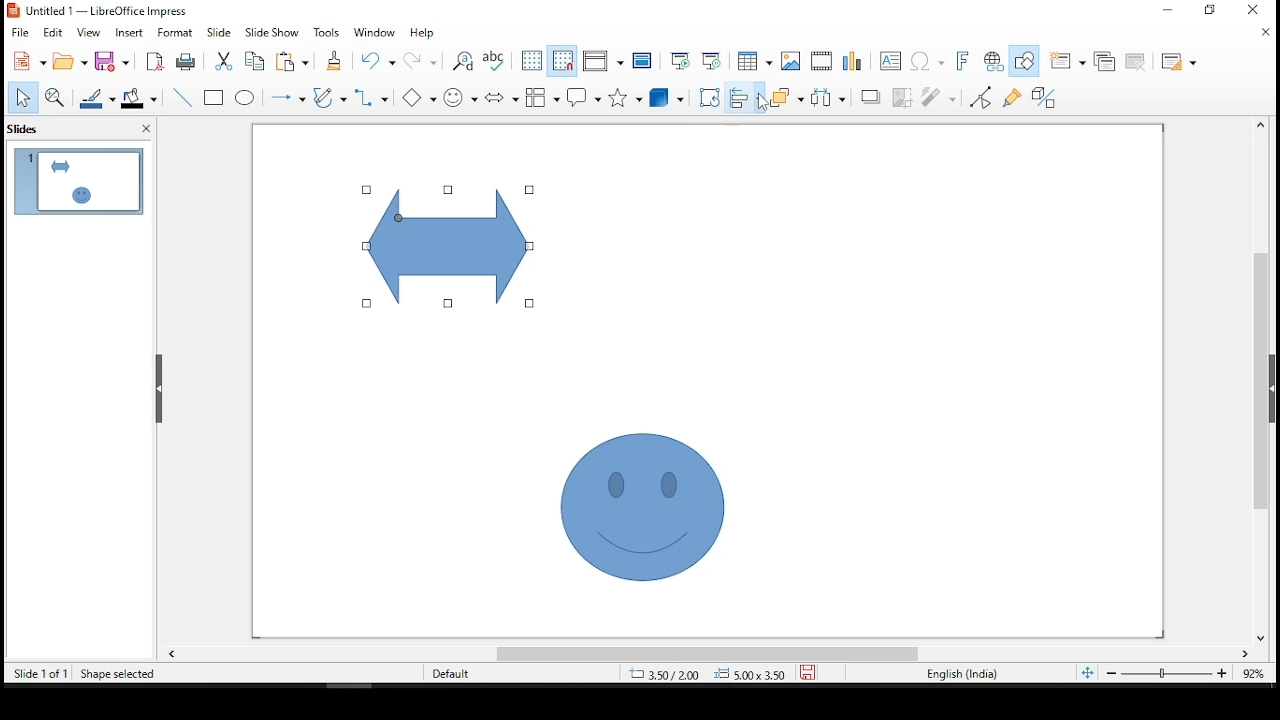  I want to click on display grid, so click(531, 62).